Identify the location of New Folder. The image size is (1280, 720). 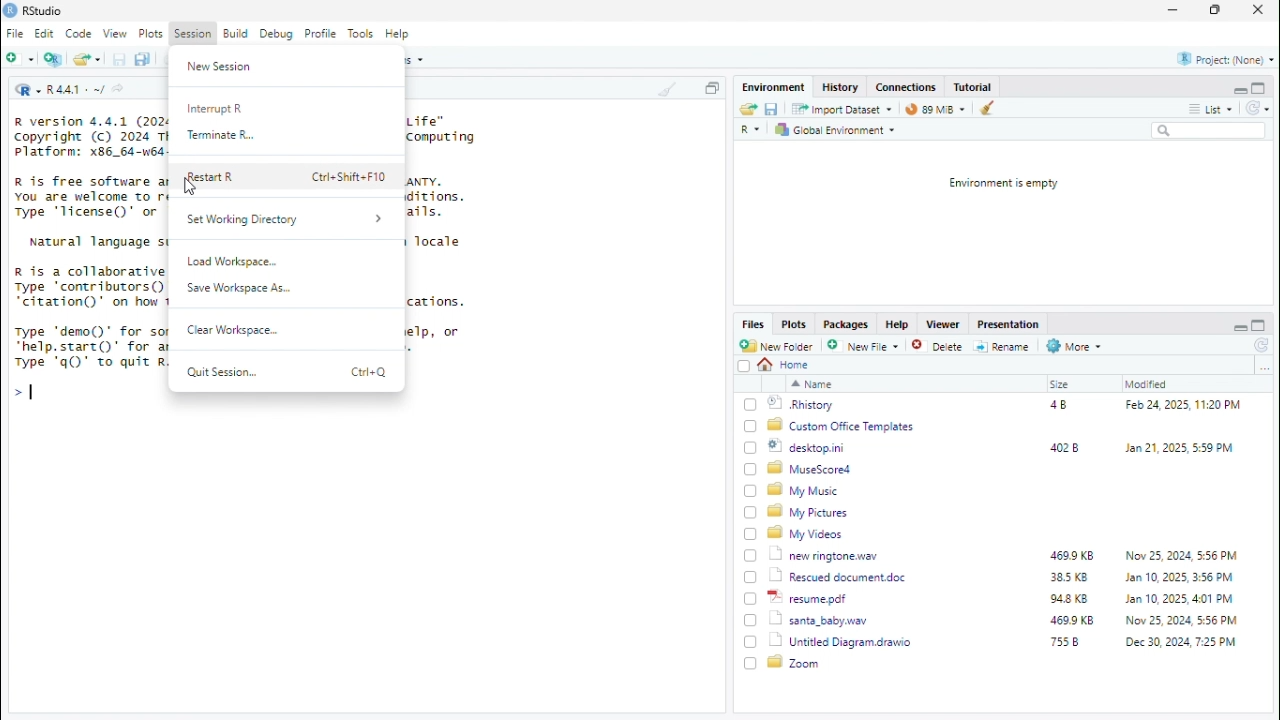
(778, 346).